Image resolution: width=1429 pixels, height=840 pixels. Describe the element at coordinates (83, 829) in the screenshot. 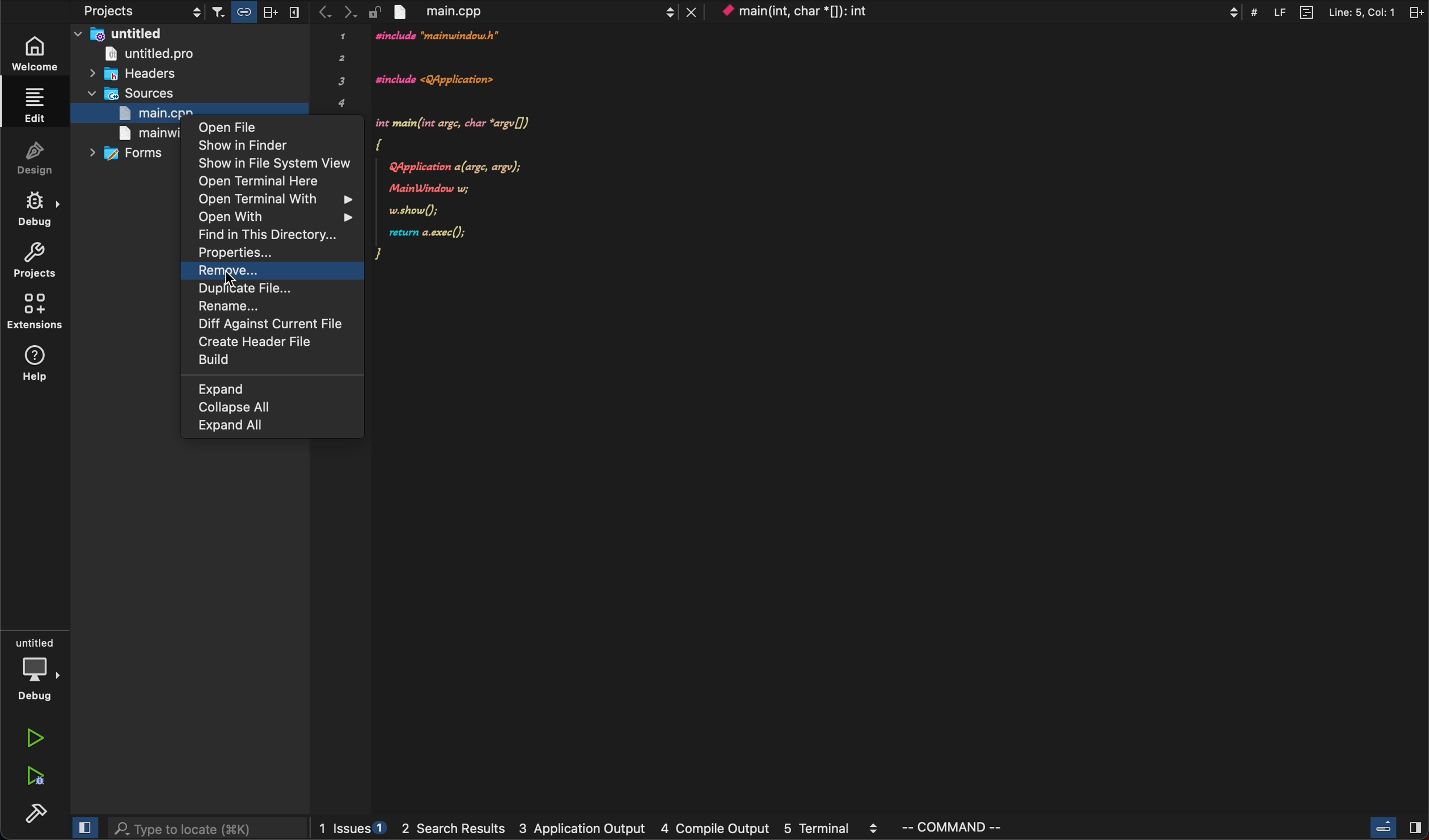

I see `close slide bar` at that location.